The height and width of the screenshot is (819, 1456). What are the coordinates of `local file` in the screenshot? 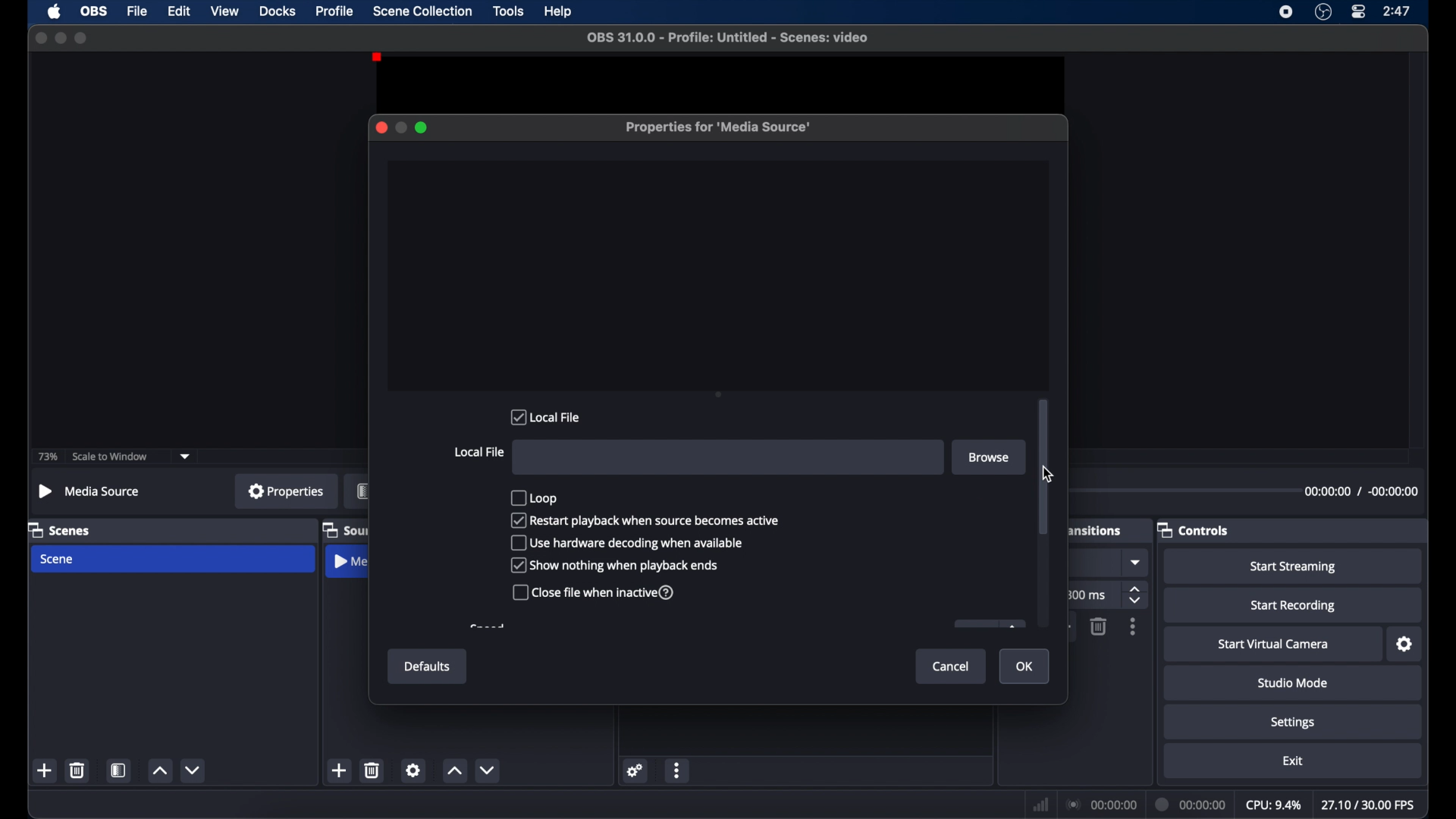 It's located at (544, 416).